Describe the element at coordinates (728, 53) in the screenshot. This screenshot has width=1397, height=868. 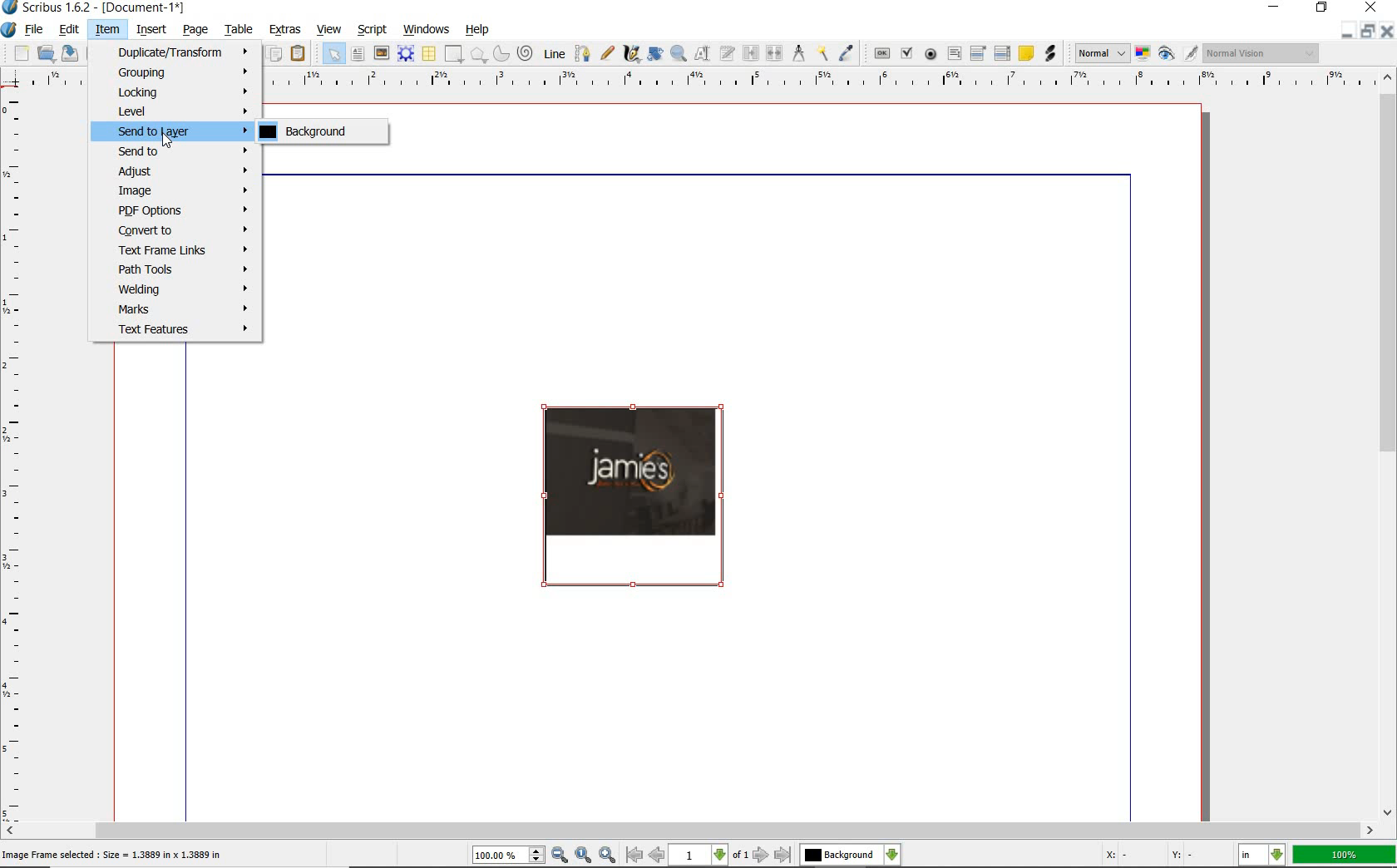
I see `edit text with story editor` at that location.